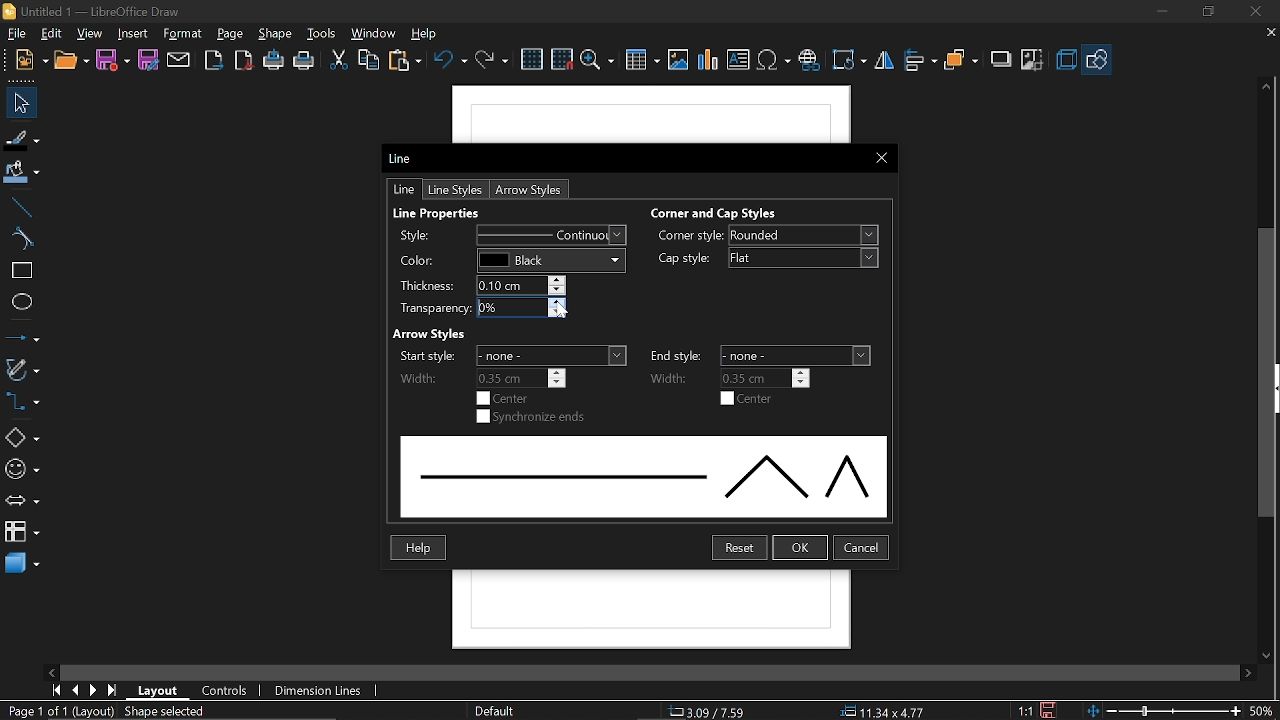 The width and height of the screenshot is (1280, 720). What do you see at coordinates (1267, 652) in the screenshot?
I see `Move down` at bounding box center [1267, 652].